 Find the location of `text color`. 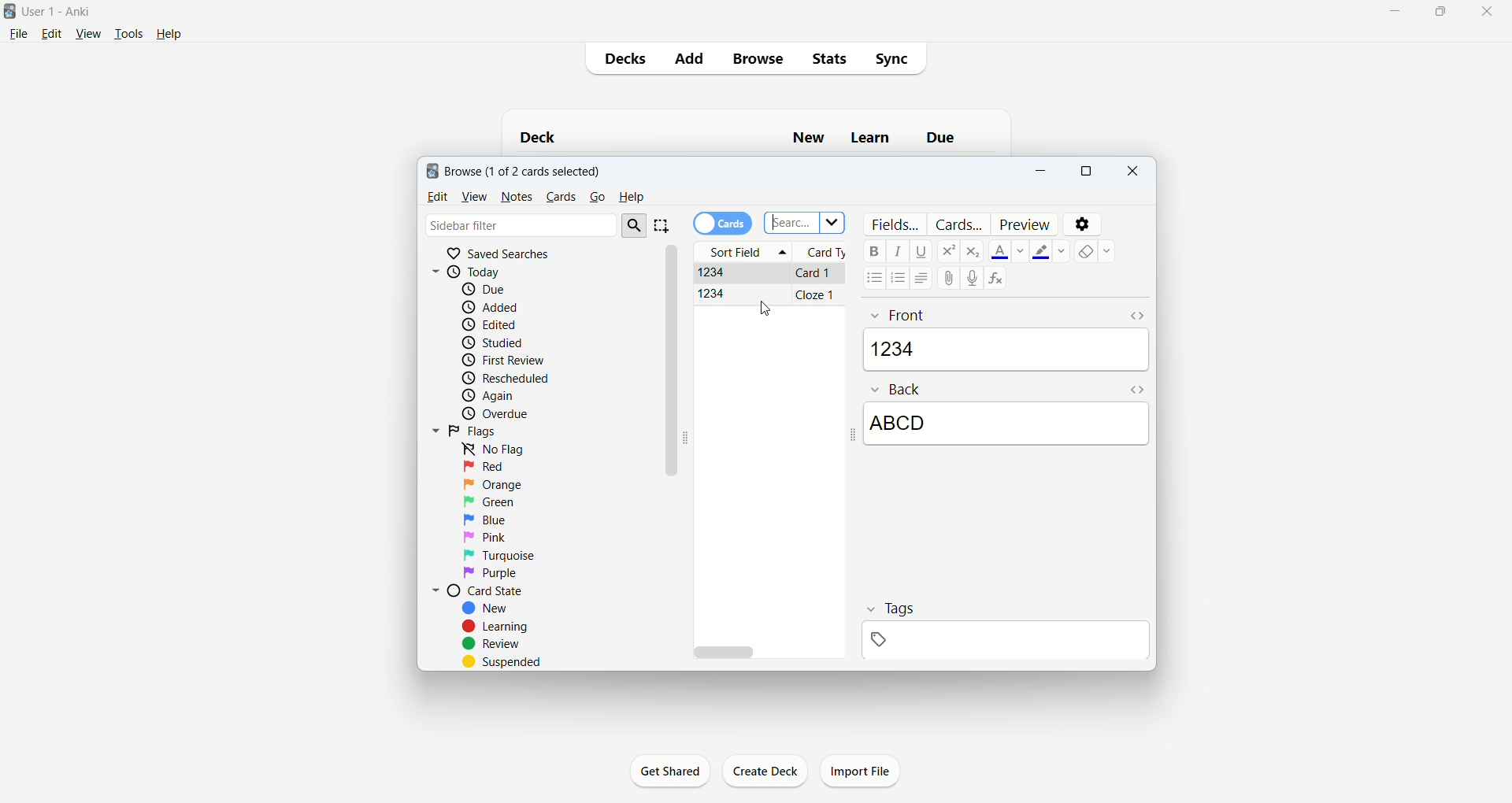

text color is located at coordinates (1006, 252).